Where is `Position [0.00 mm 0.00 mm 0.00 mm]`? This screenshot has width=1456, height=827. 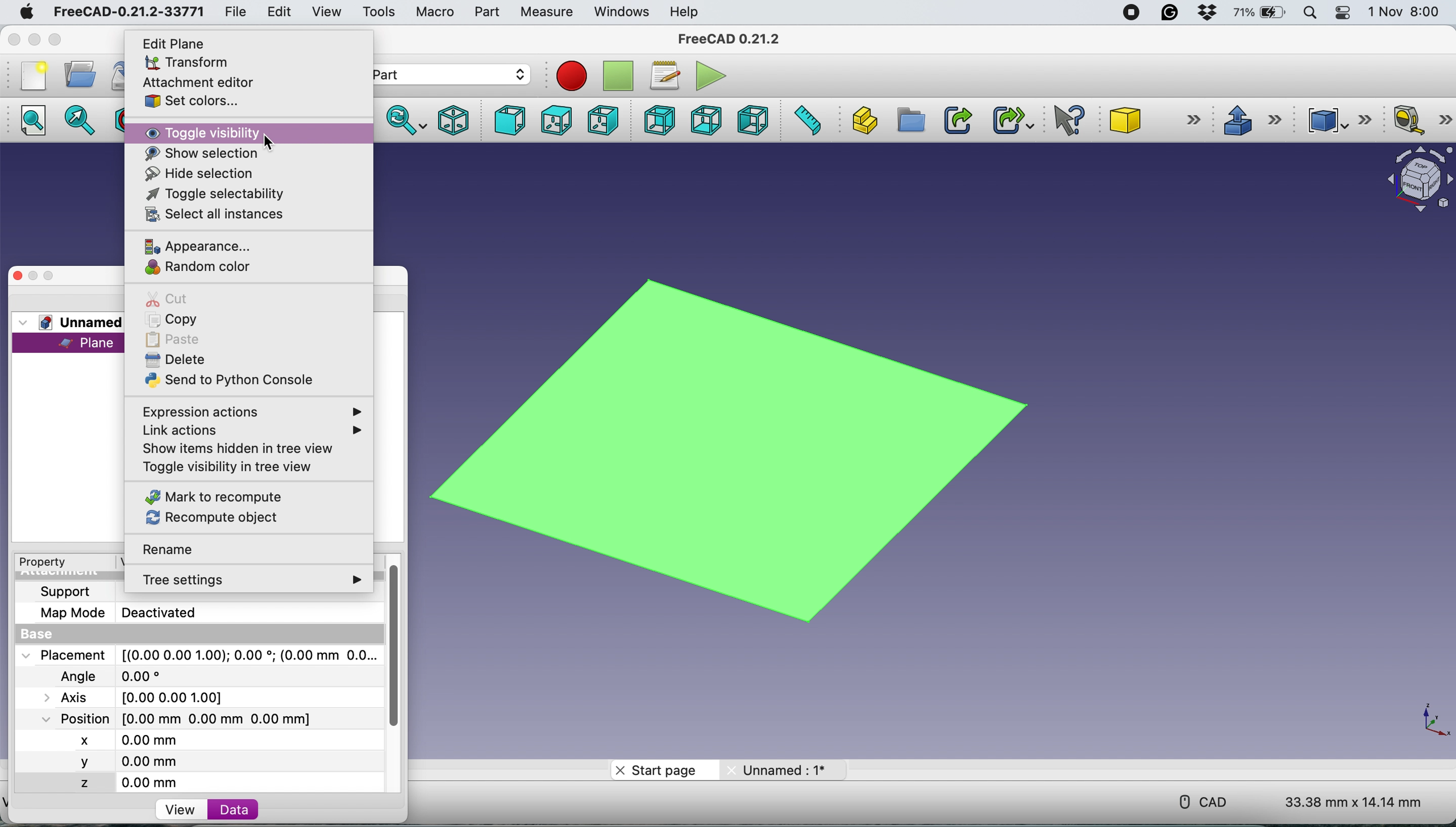
Position [0.00 mm 0.00 mm 0.00 mm] is located at coordinates (181, 720).